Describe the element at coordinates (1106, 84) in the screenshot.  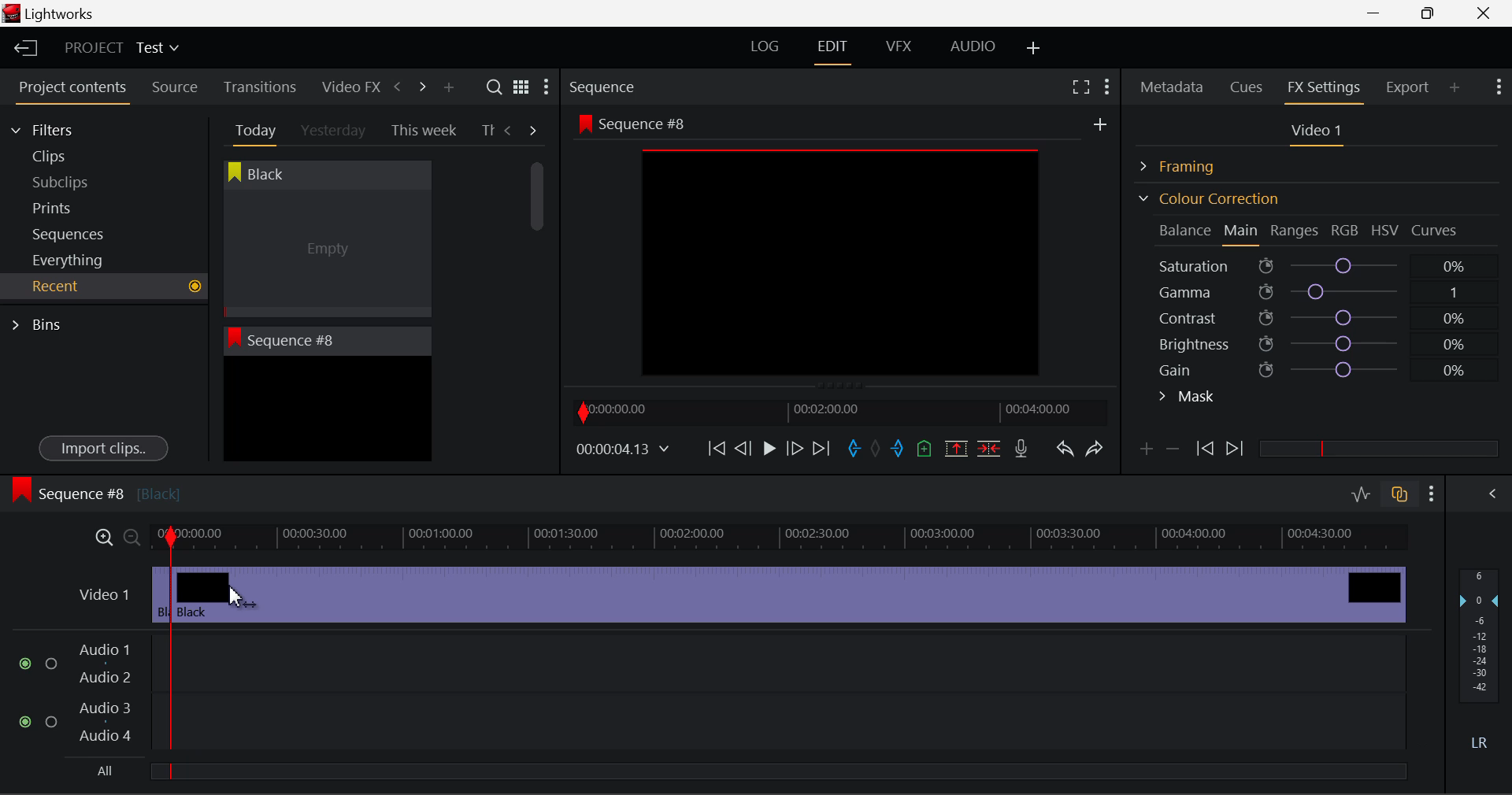
I see `Show Settings` at that location.